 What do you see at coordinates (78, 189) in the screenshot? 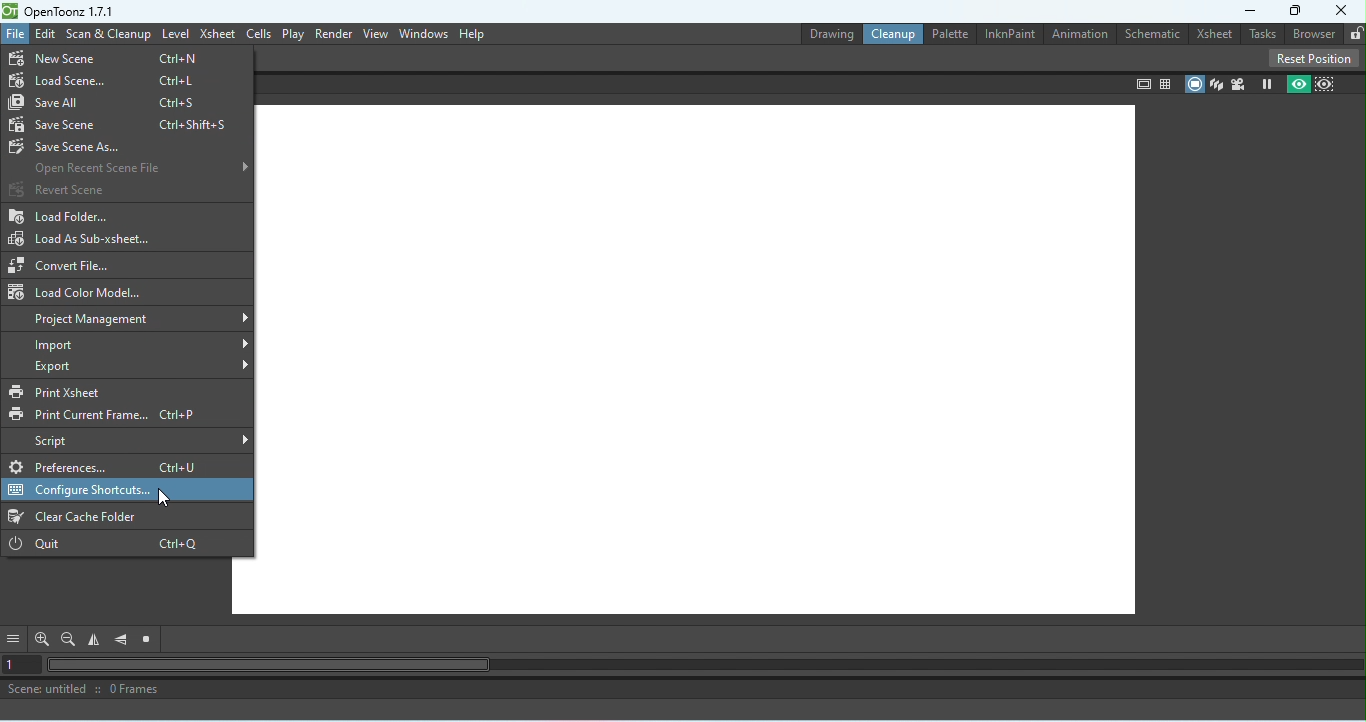
I see `Revert scene` at bounding box center [78, 189].